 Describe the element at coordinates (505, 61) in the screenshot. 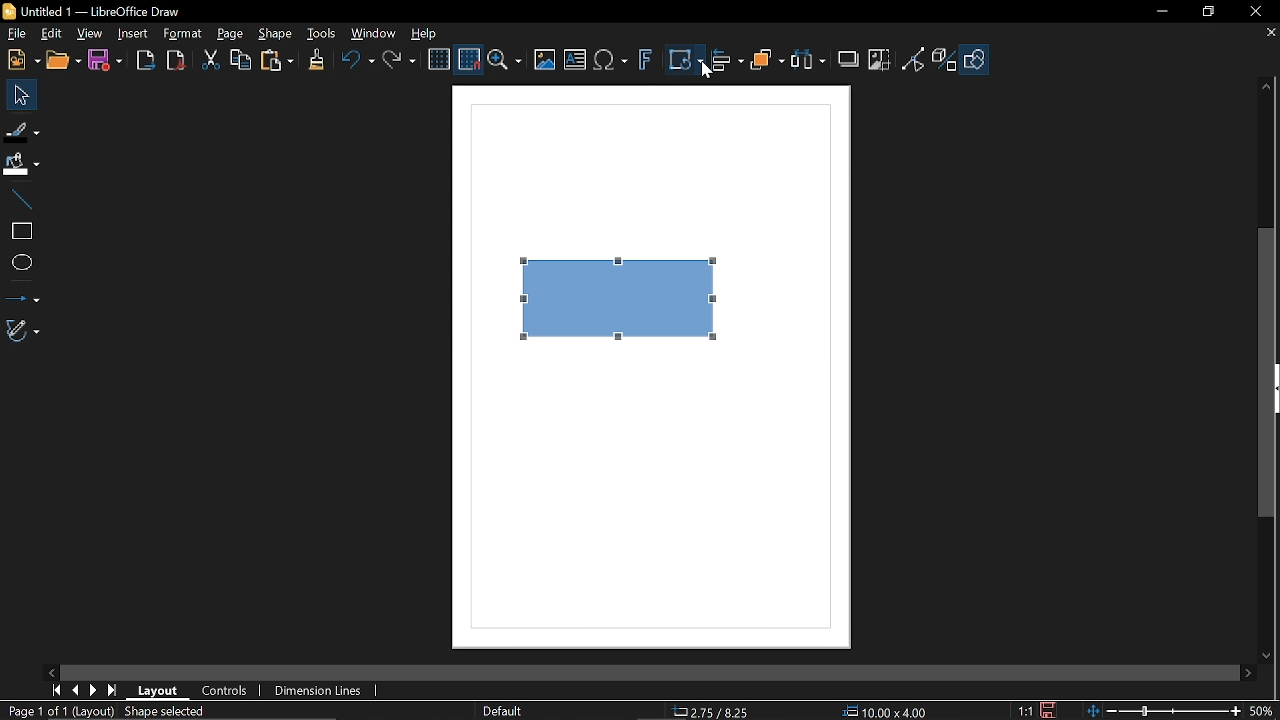

I see `Zoom` at that location.